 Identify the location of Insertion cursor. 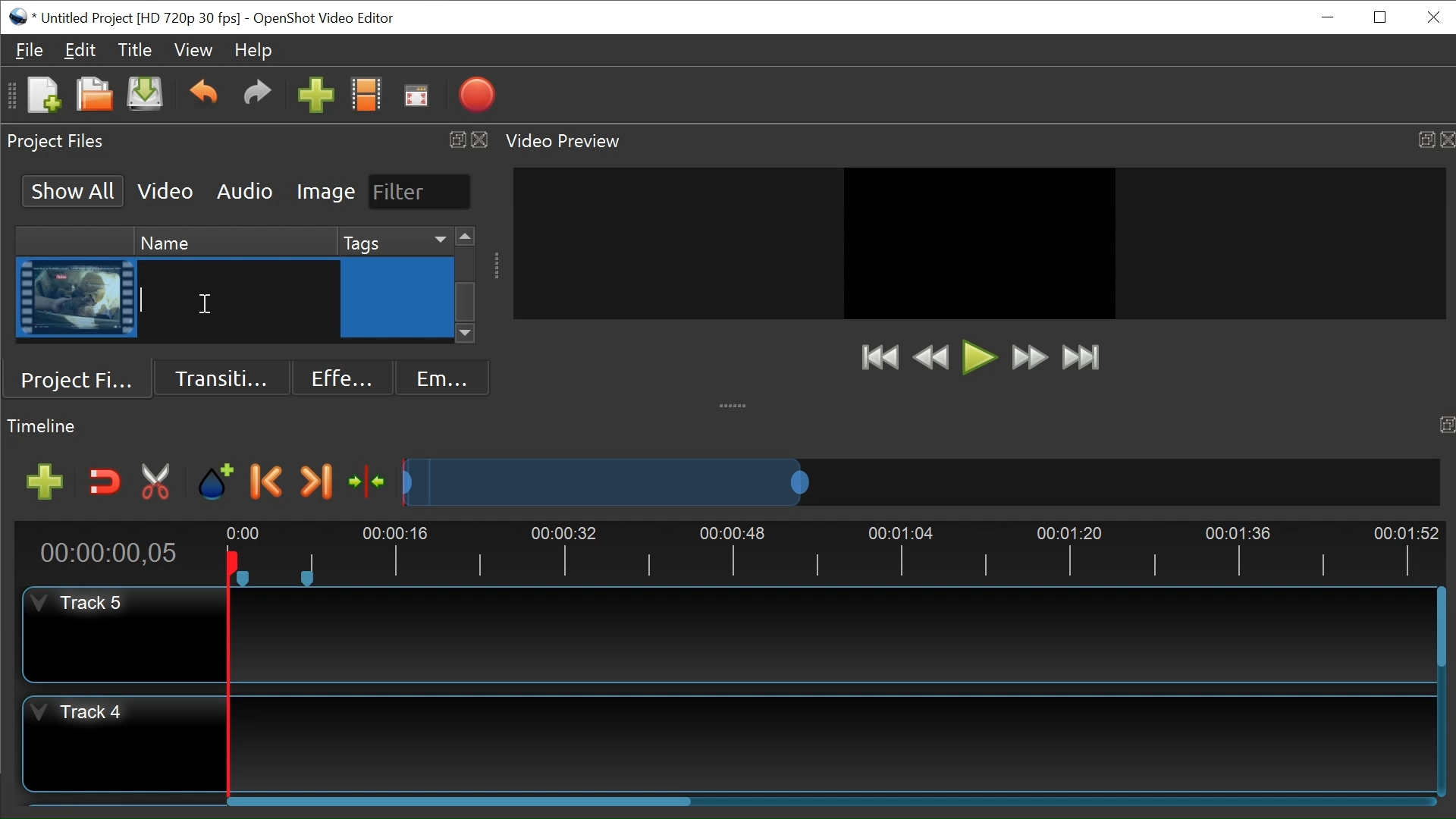
(204, 305).